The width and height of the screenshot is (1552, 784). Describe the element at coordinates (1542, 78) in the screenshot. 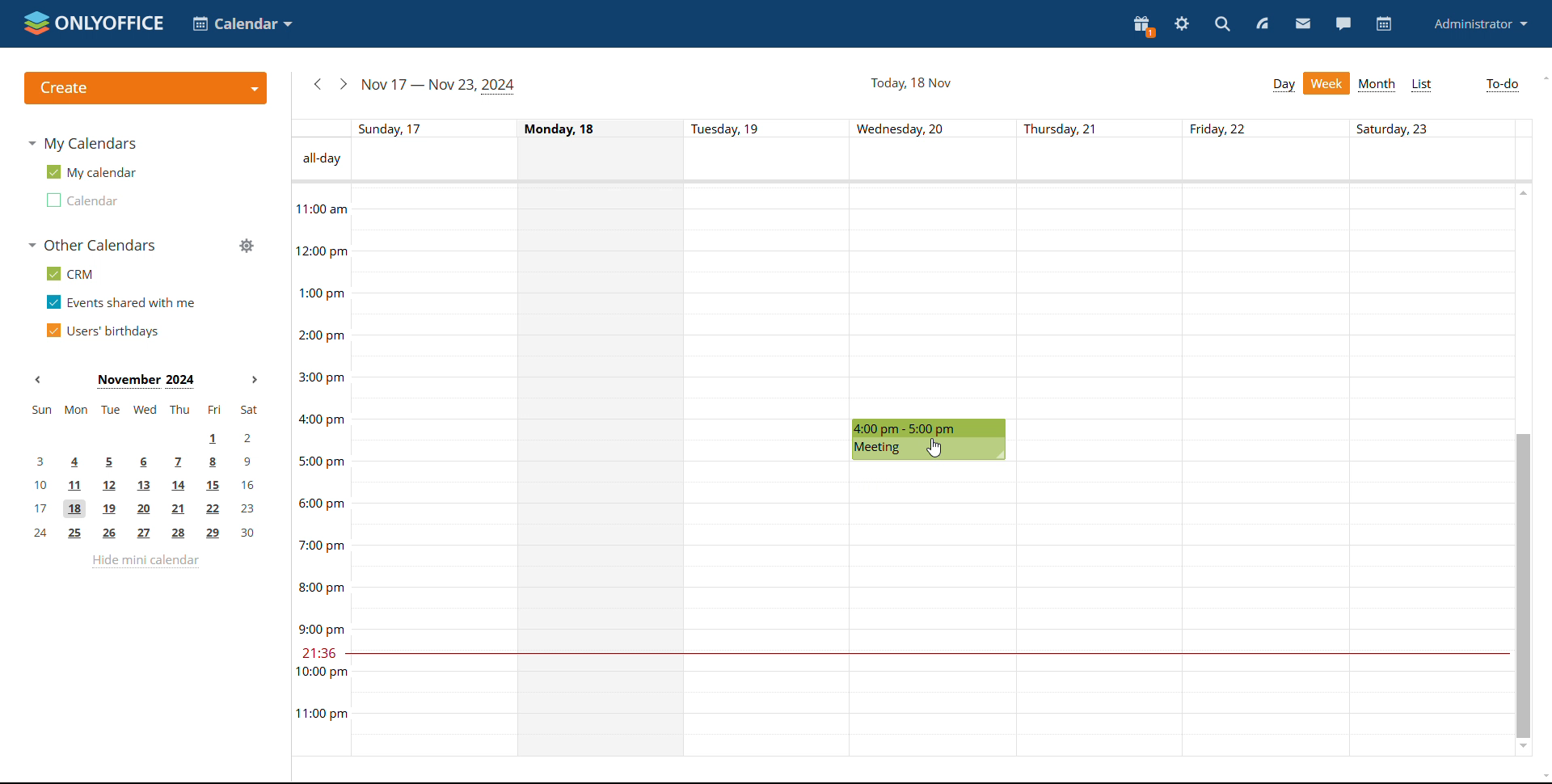

I see `scroll up` at that location.